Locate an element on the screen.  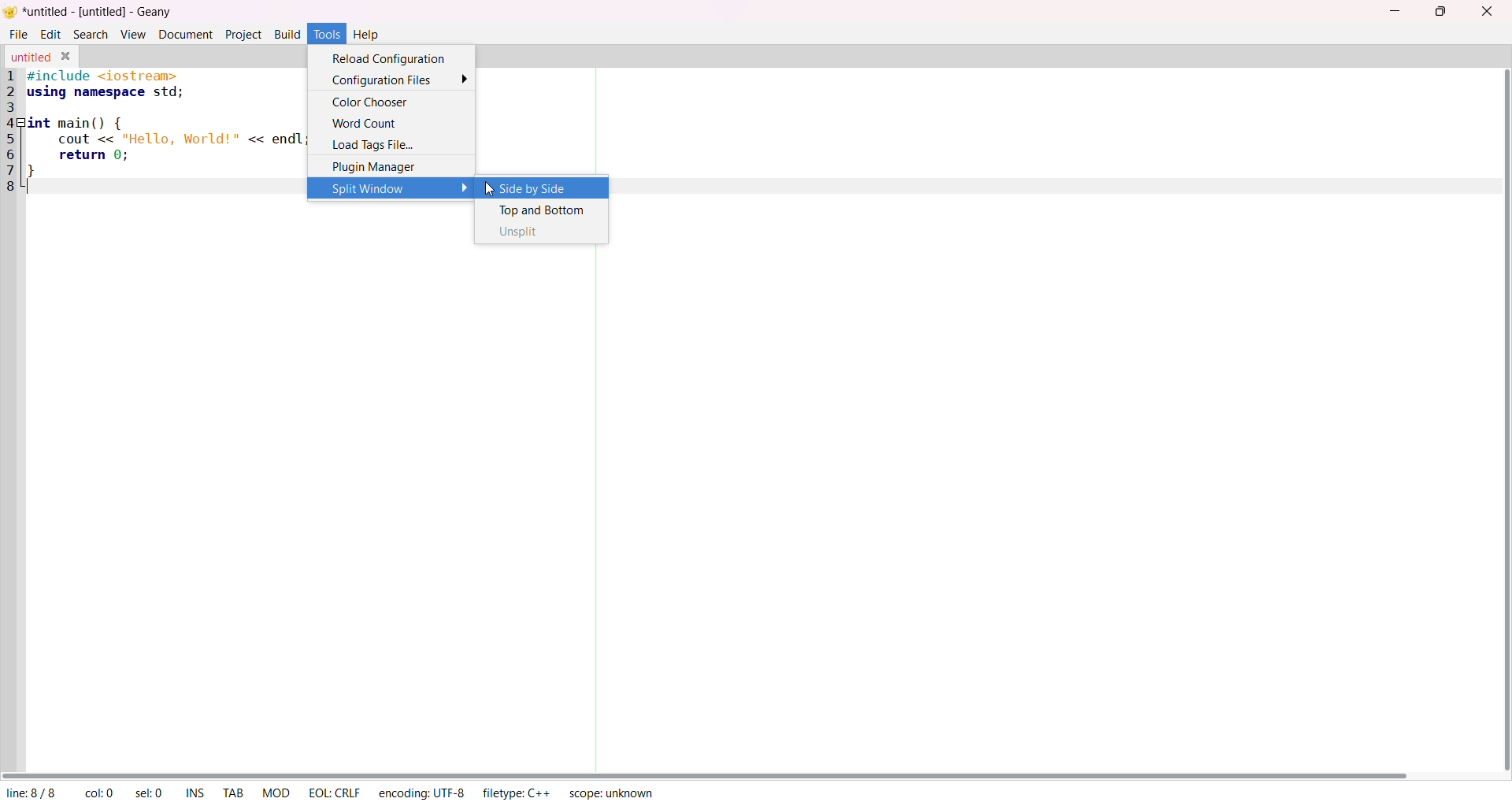
scope: unknown is located at coordinates (610, 792).